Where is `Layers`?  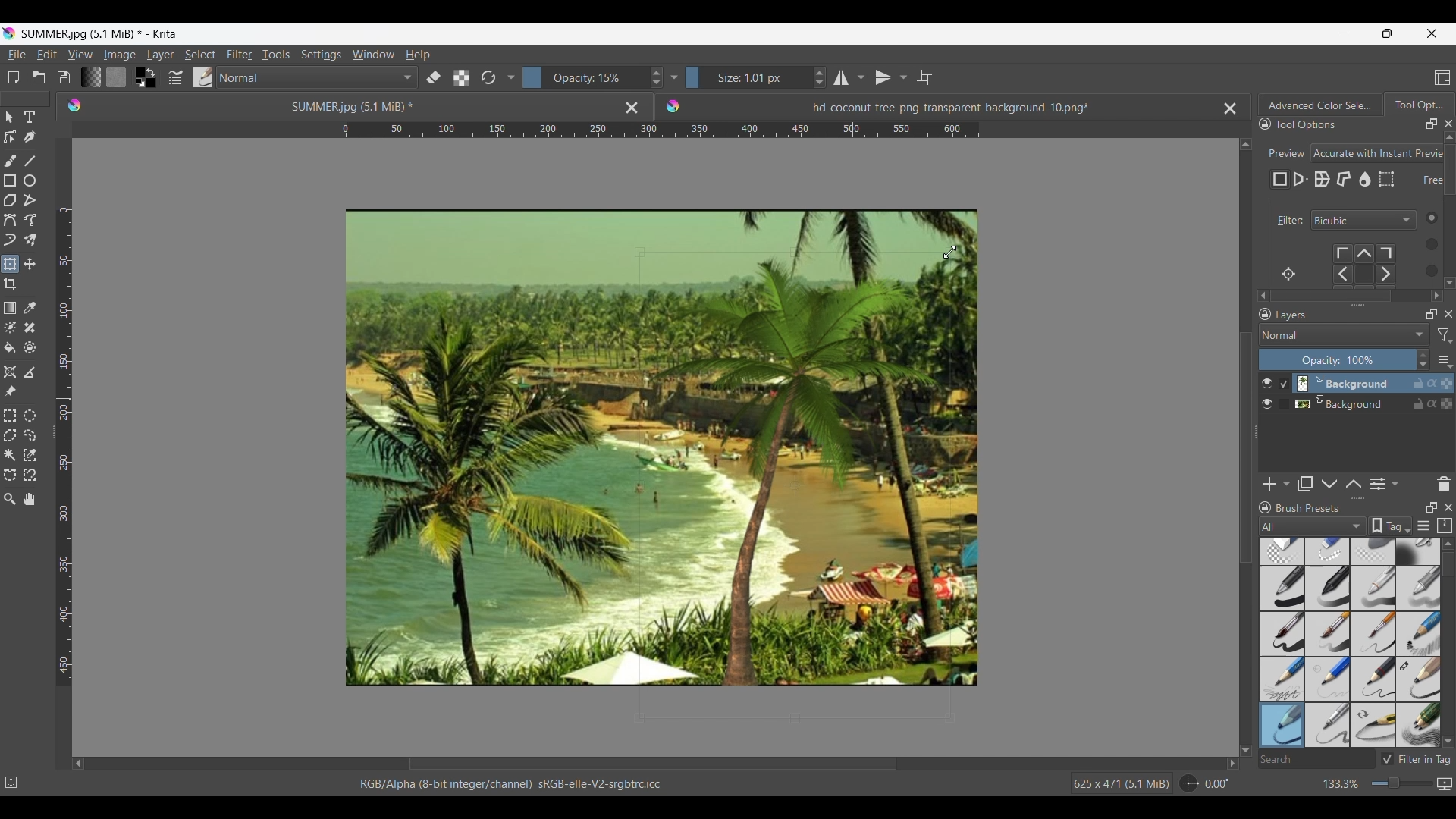
Layers is located at coordinates (1347, 315).